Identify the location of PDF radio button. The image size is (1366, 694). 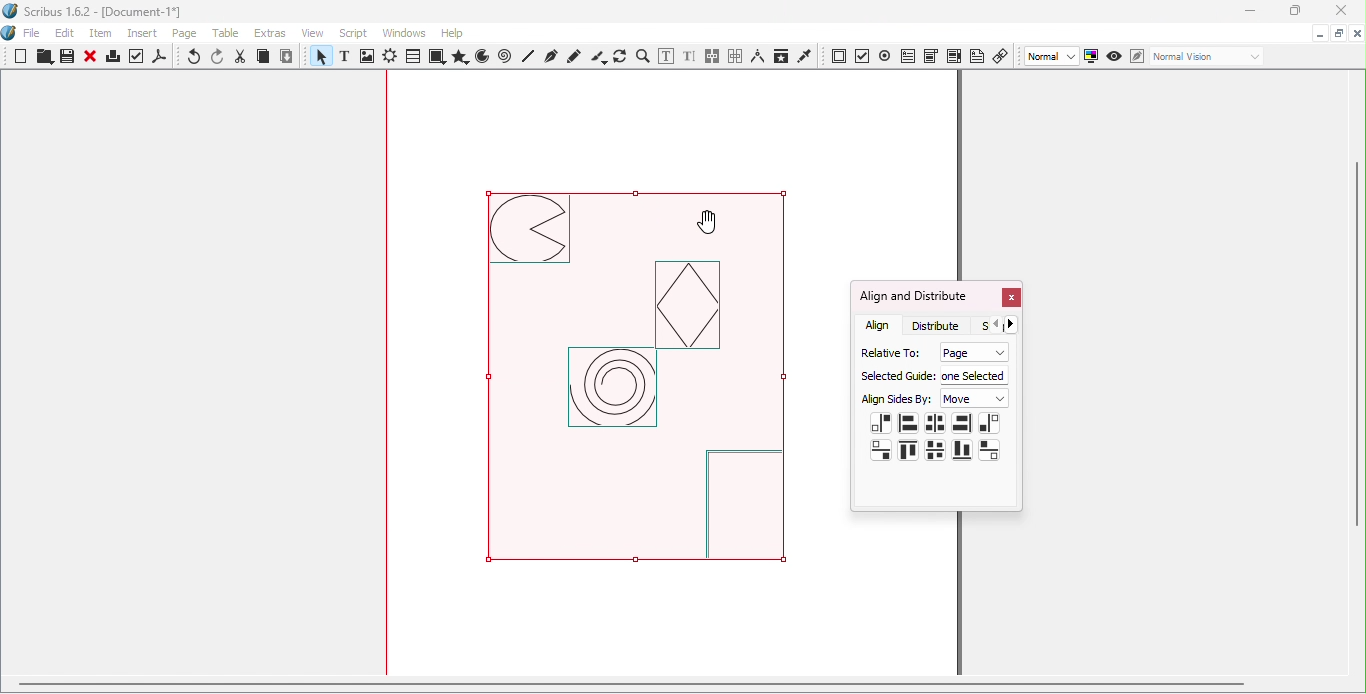
(885, 55).